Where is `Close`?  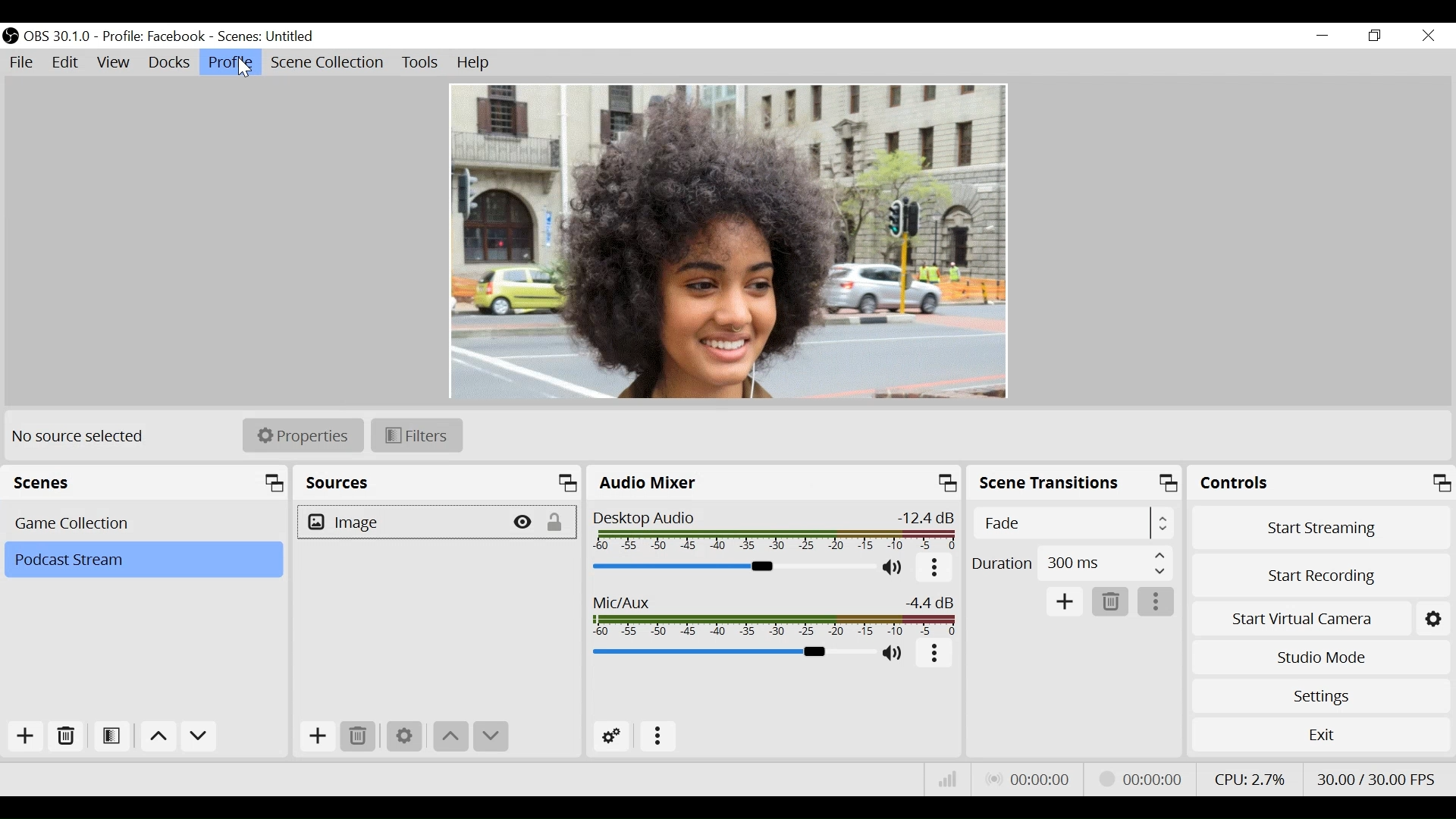 Close is located at coordinates (1428, 35).